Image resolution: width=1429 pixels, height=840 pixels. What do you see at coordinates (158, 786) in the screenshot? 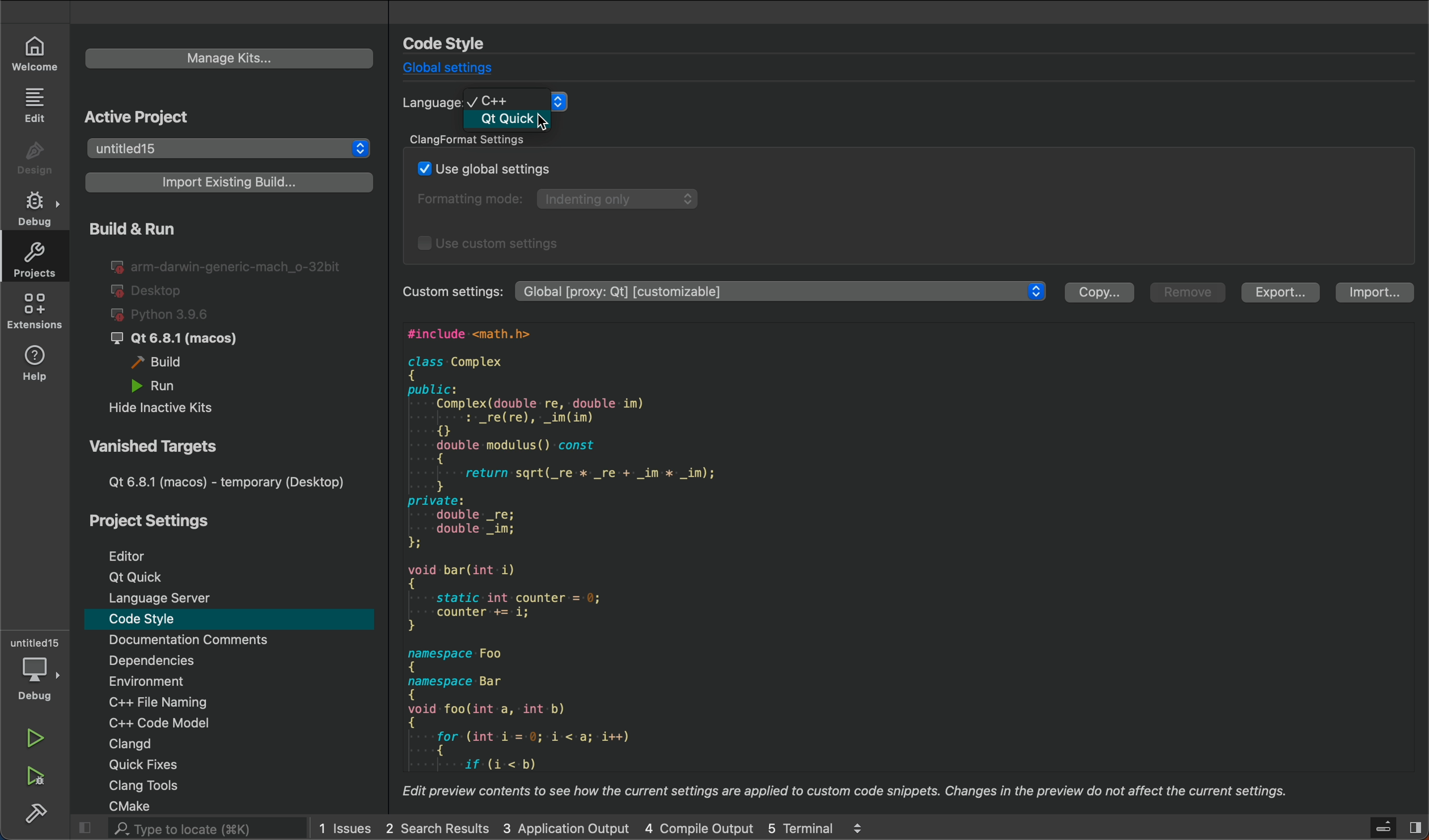
I see `tools` at bounding box center [158, 786].